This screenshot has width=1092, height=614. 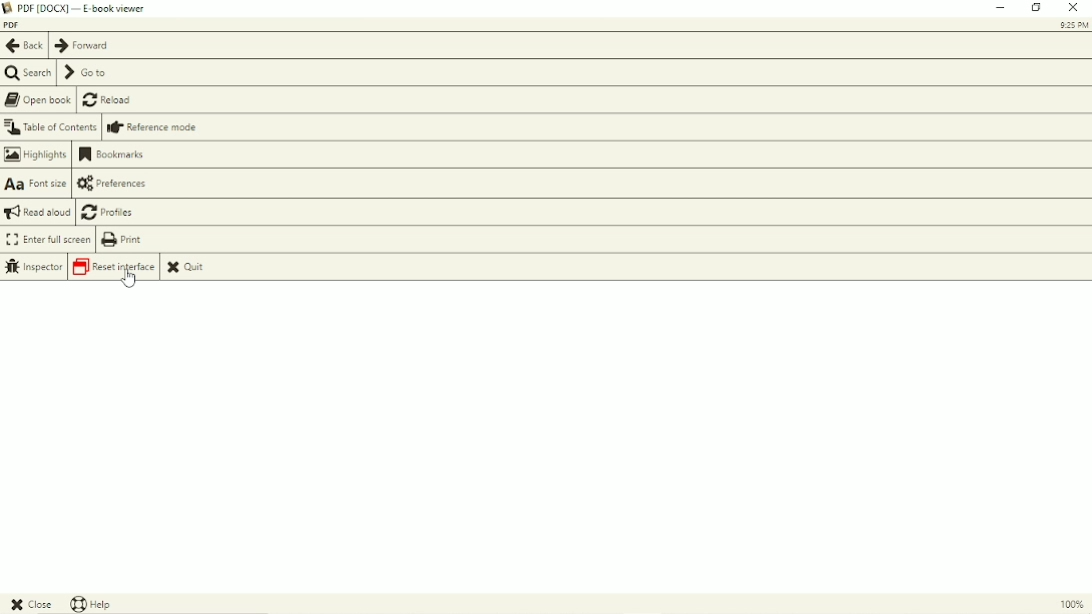 What do you see at coordinates (112, 155) in the screenshot?
I see `Bookmarks` at bounding box center [112, 155].